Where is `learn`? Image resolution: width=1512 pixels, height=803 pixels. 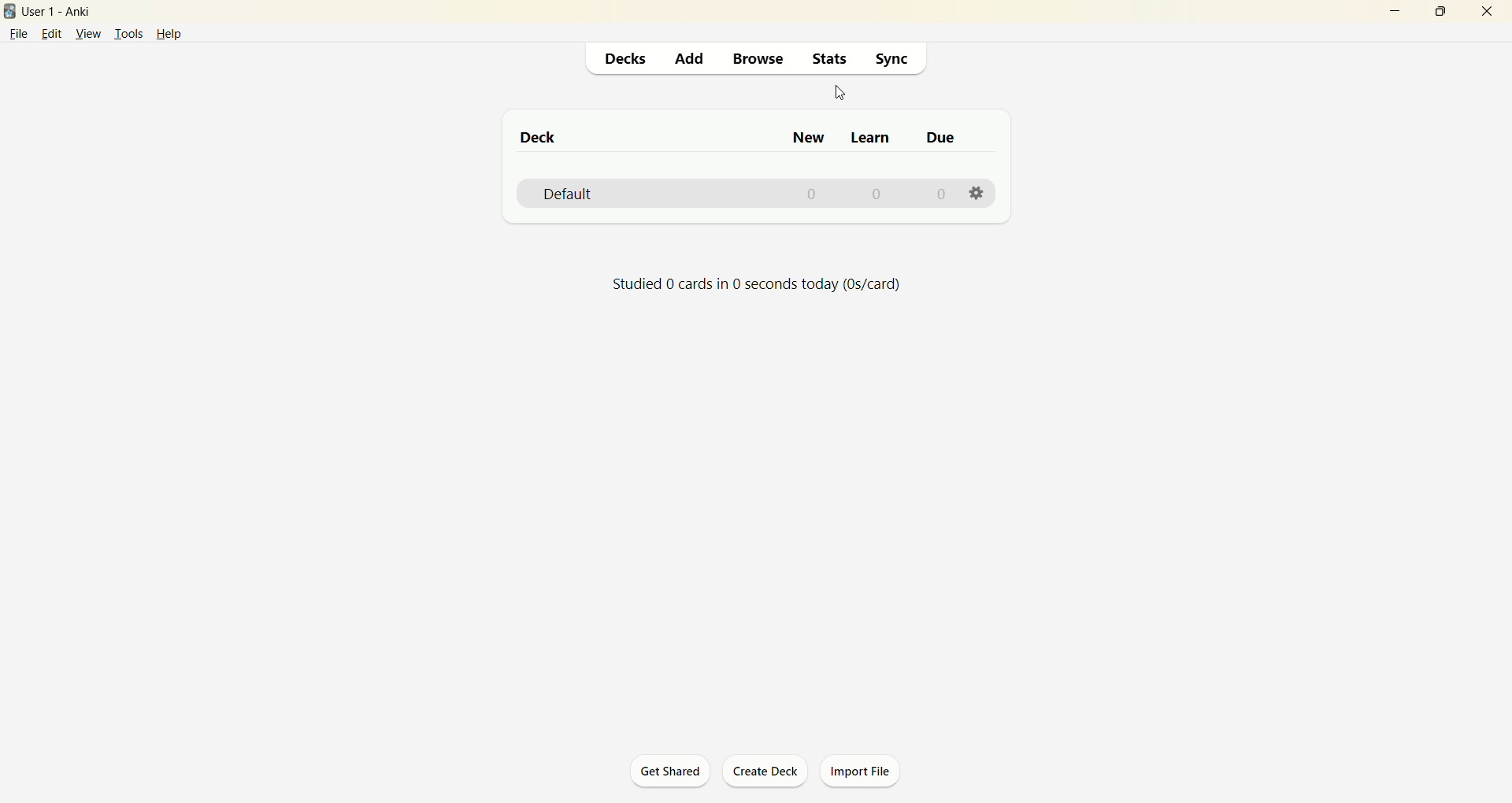 learn is located at coordinates (870, 140).